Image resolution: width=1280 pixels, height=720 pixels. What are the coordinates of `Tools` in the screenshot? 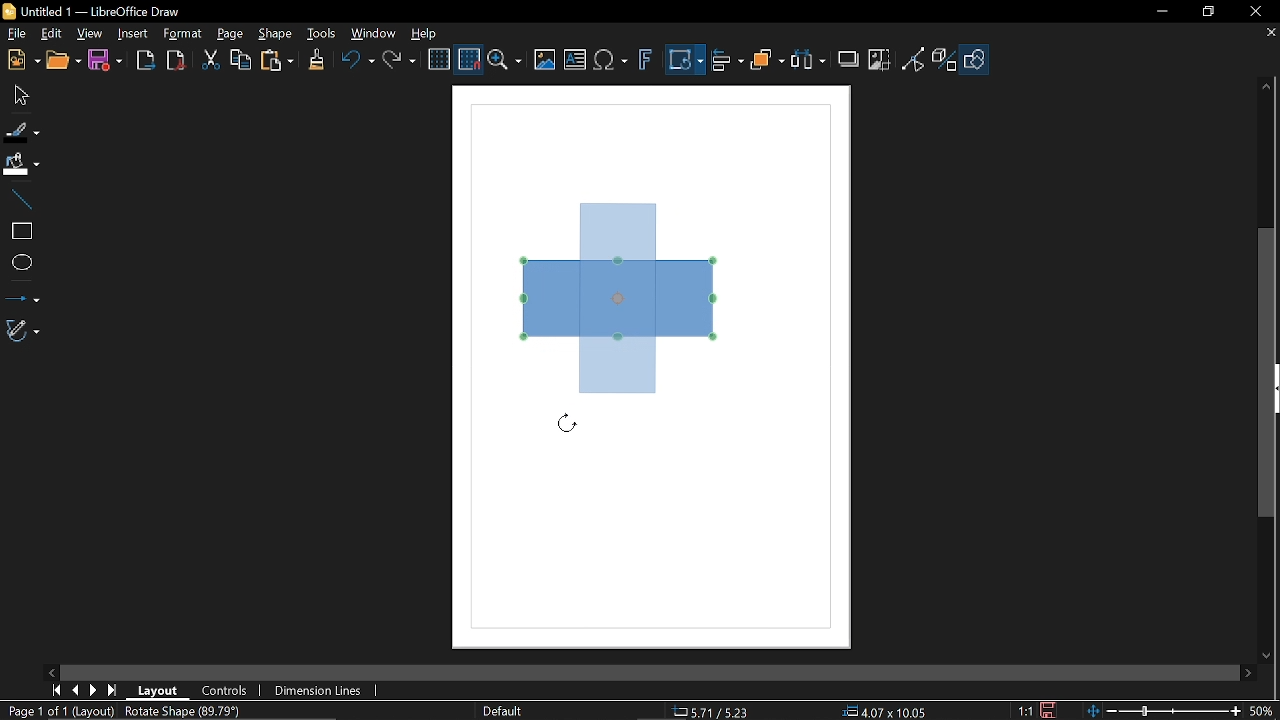 It's located at (322, 34).